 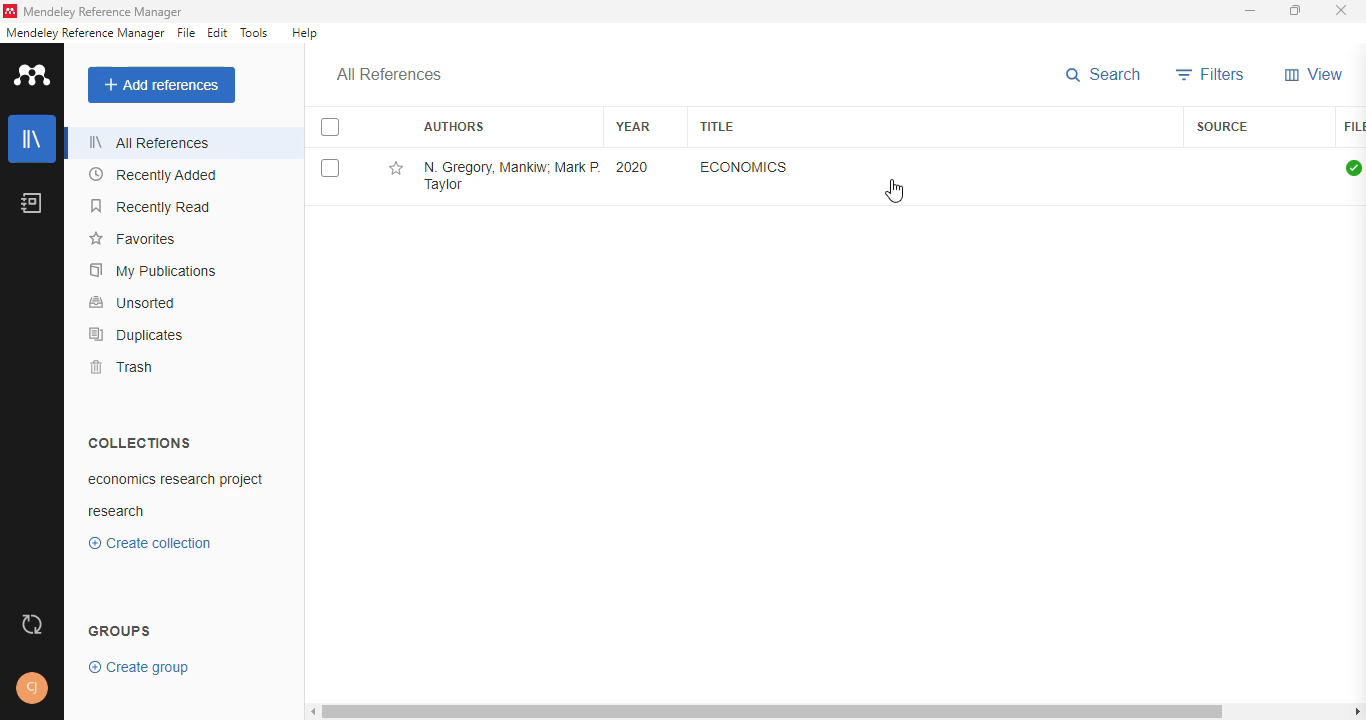 What do you see at coordinates (1341, 10) in the screenshot?
I see `close` at bounding box center [1341, 10].